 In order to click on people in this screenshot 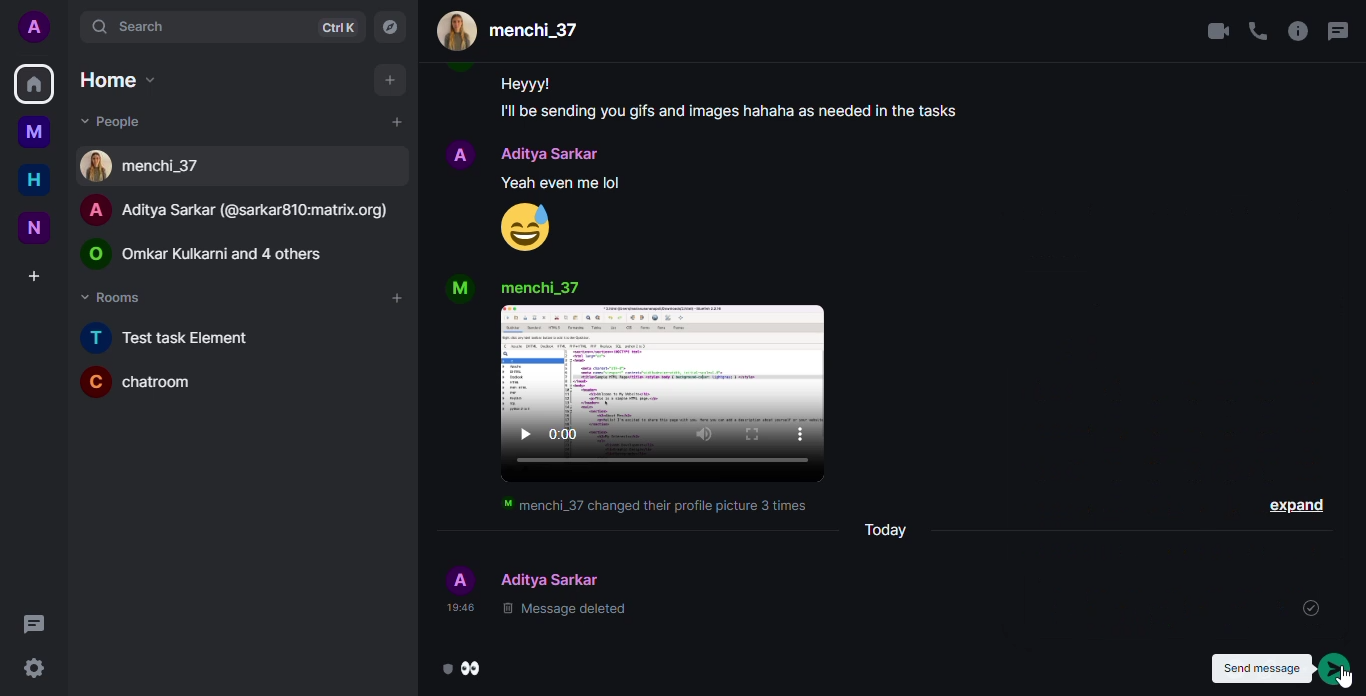, I will do `click(514, 31)`.